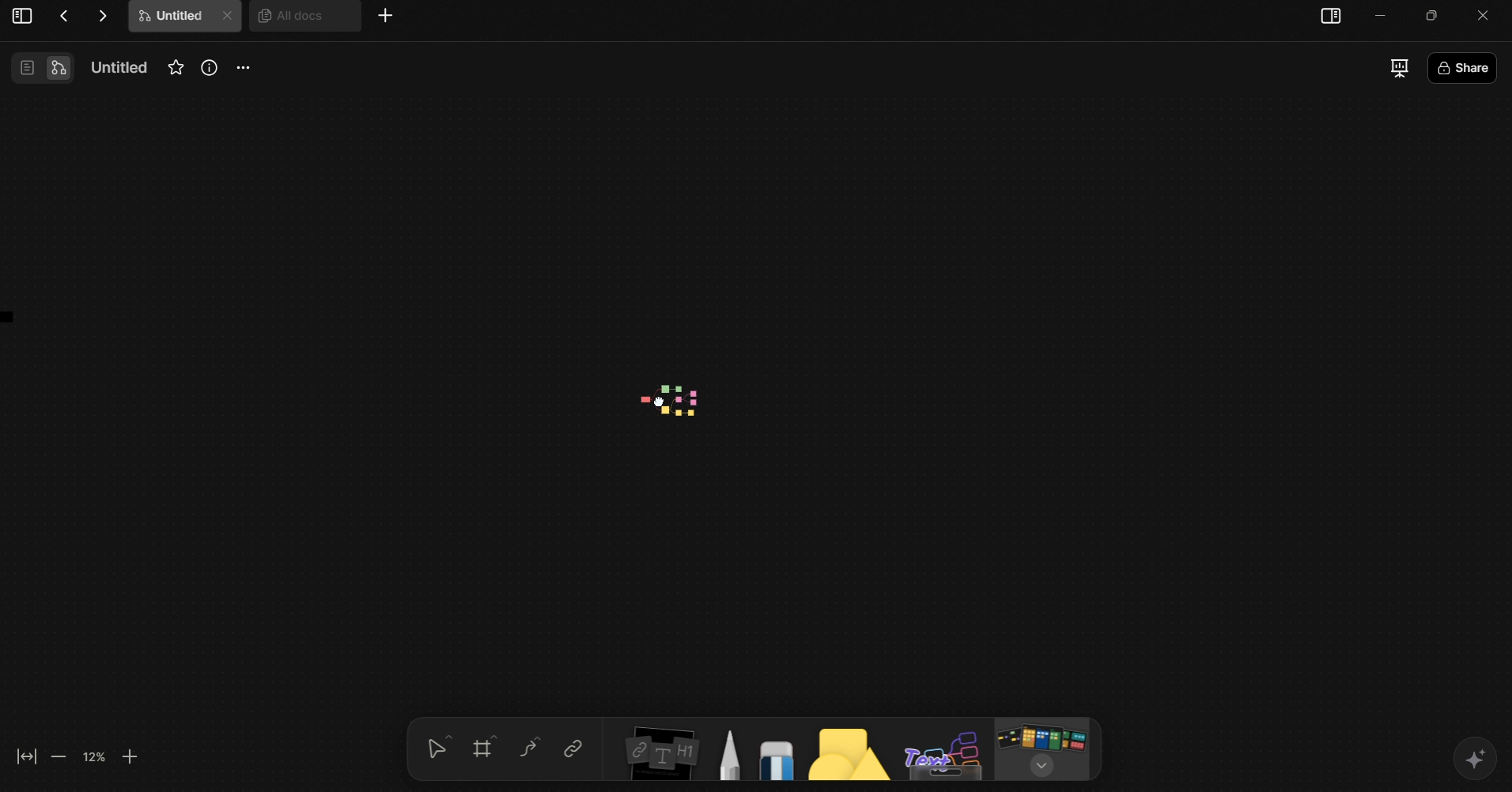 This screenshot has height=792, width=1512. I want to click on close, so click(1491, 13).